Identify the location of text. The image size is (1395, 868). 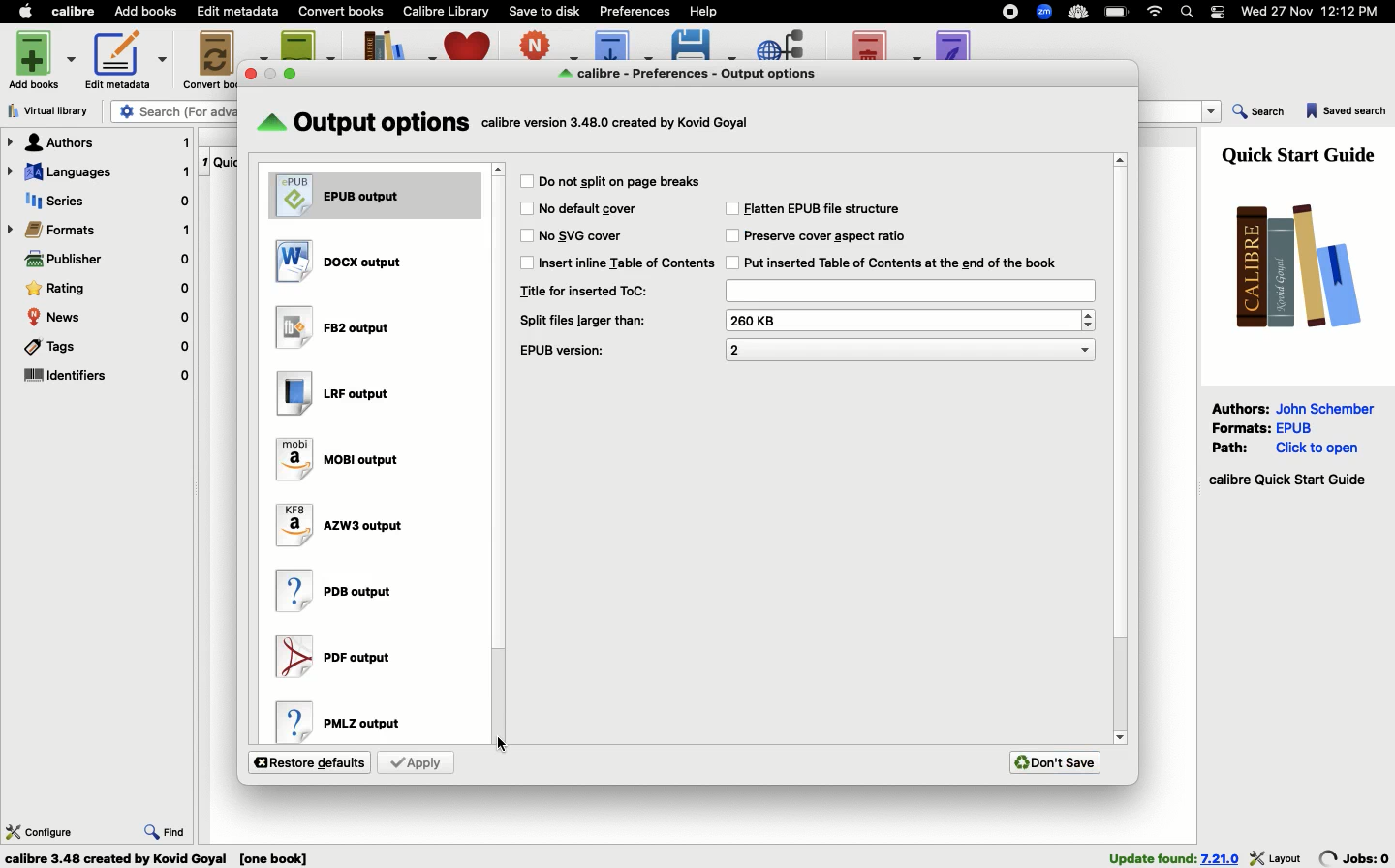
(619, 122).